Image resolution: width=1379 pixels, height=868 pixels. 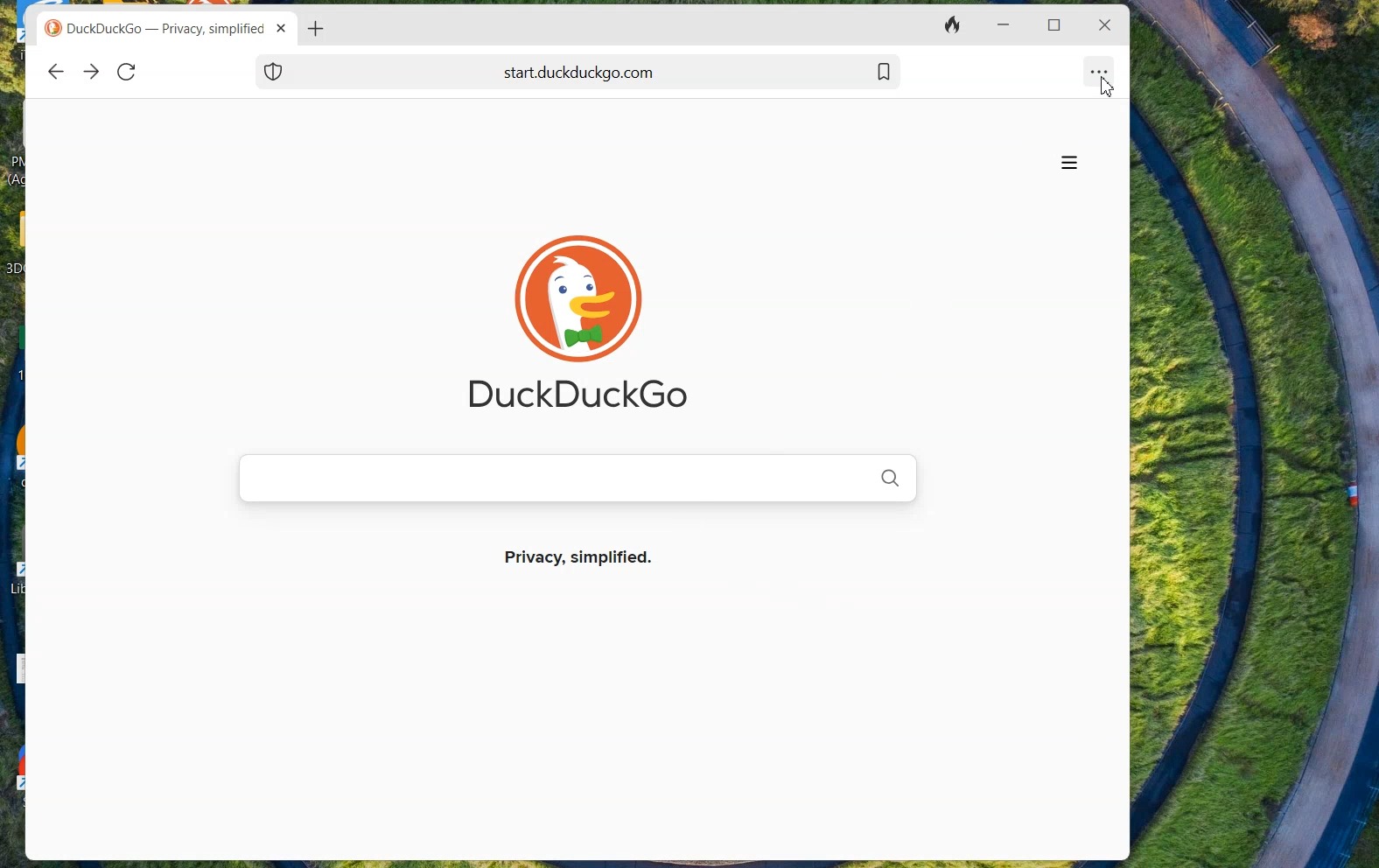 What do you see at coordinates (91, 73) in the screenshot?
I see `Forward` at bounding box center [91, 73].